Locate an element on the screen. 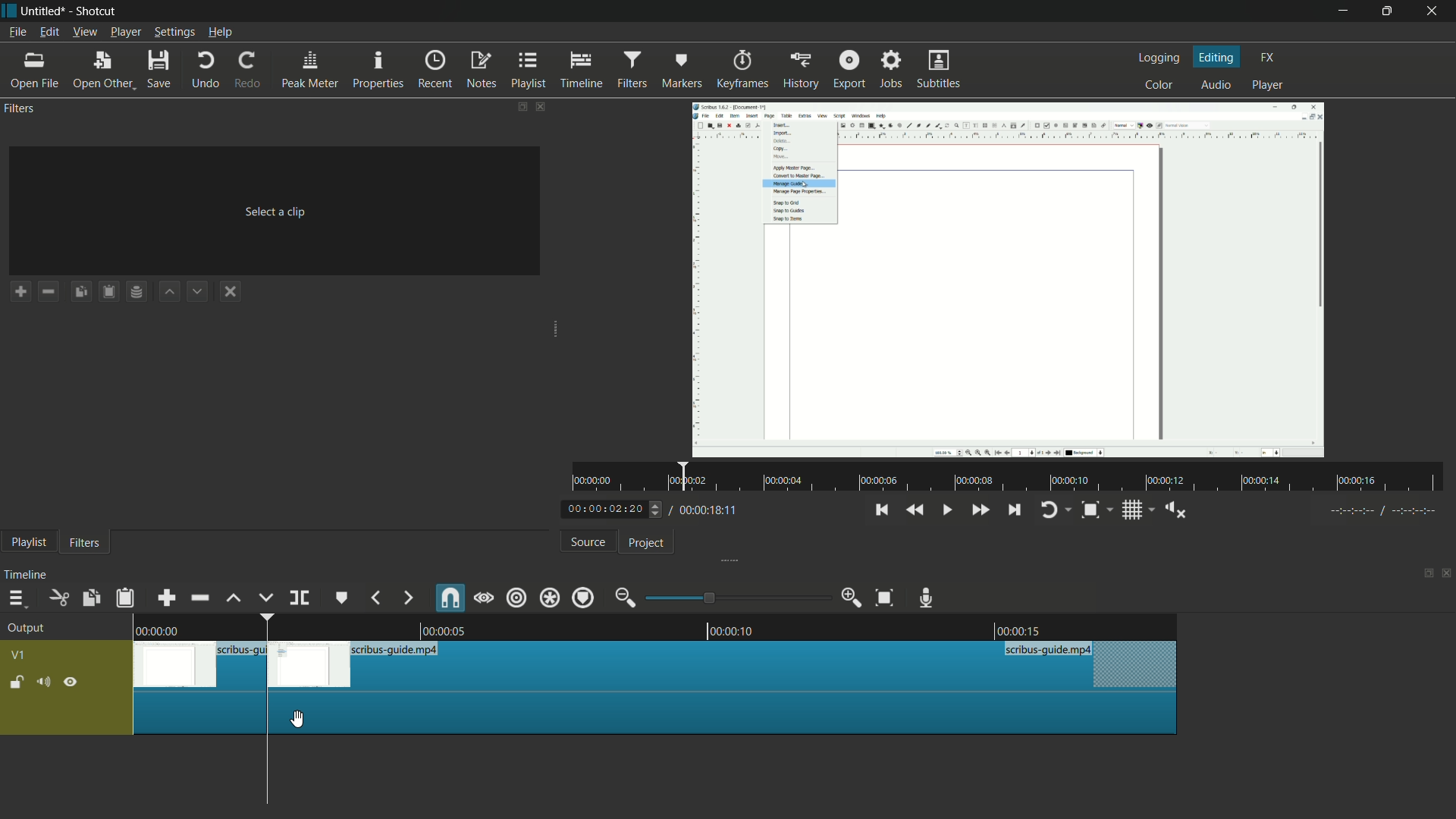 The image size is (1456, 819). undo is located at coordinates (209, 69).